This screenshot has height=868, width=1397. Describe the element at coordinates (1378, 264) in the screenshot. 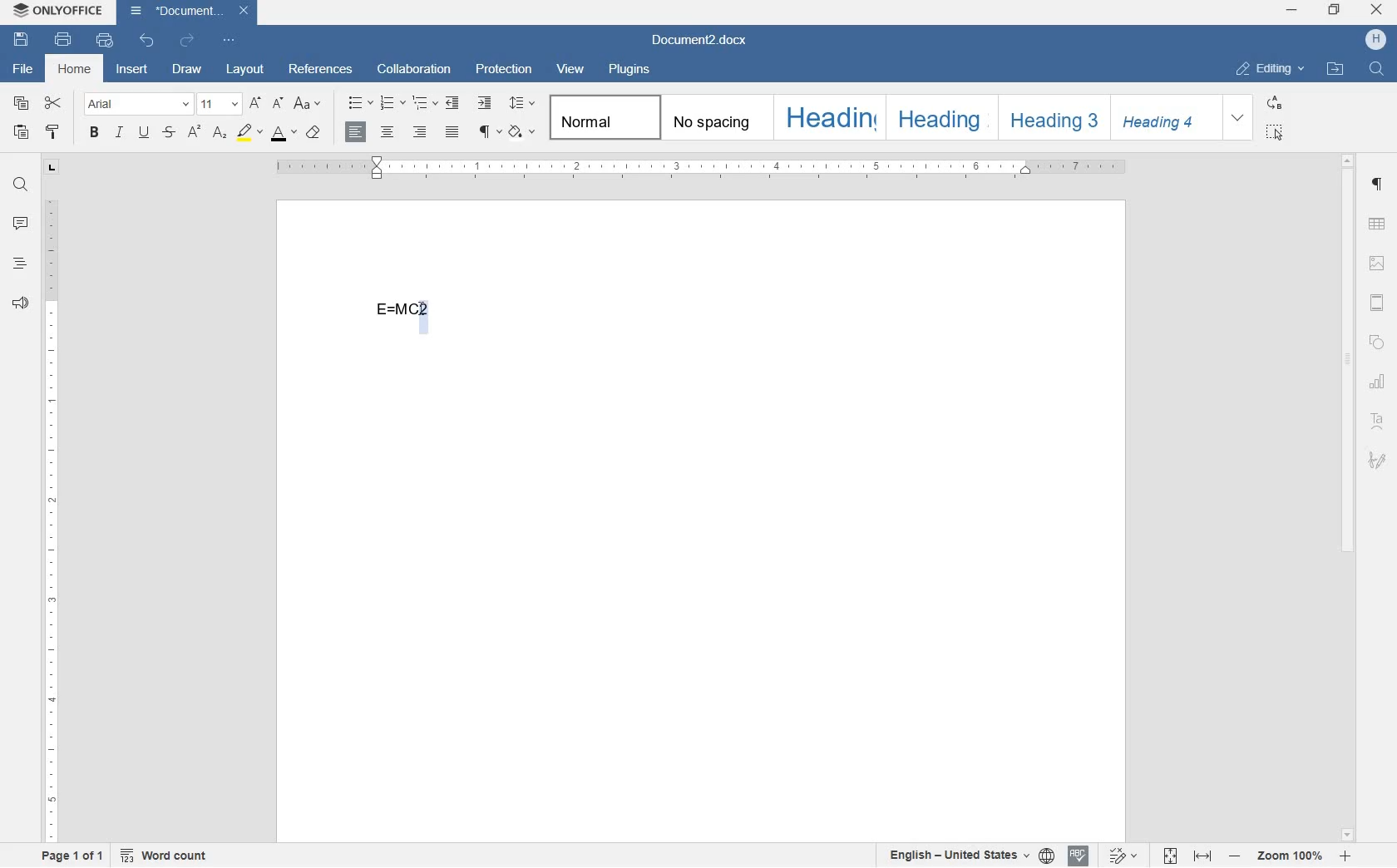

I see `image` at that location.